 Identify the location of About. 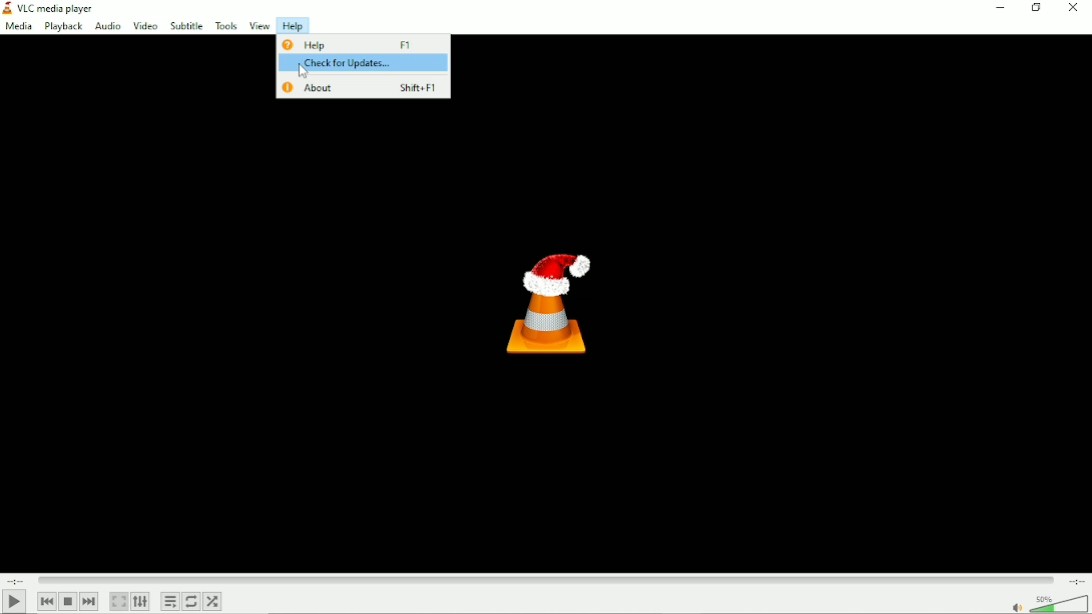
(359, 88).